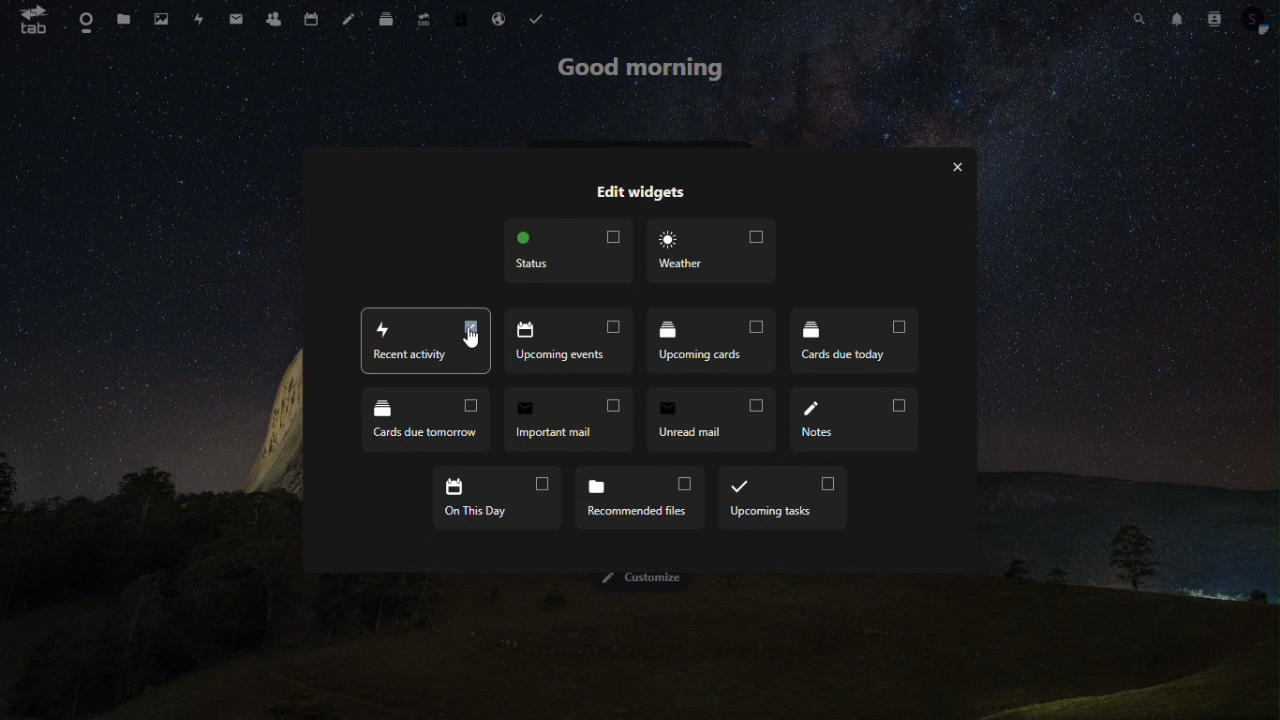 This screenshot has width=1280, height=720. Describe the element at coordinates (386, 22) in the screenshot. I see `deck` at that location.